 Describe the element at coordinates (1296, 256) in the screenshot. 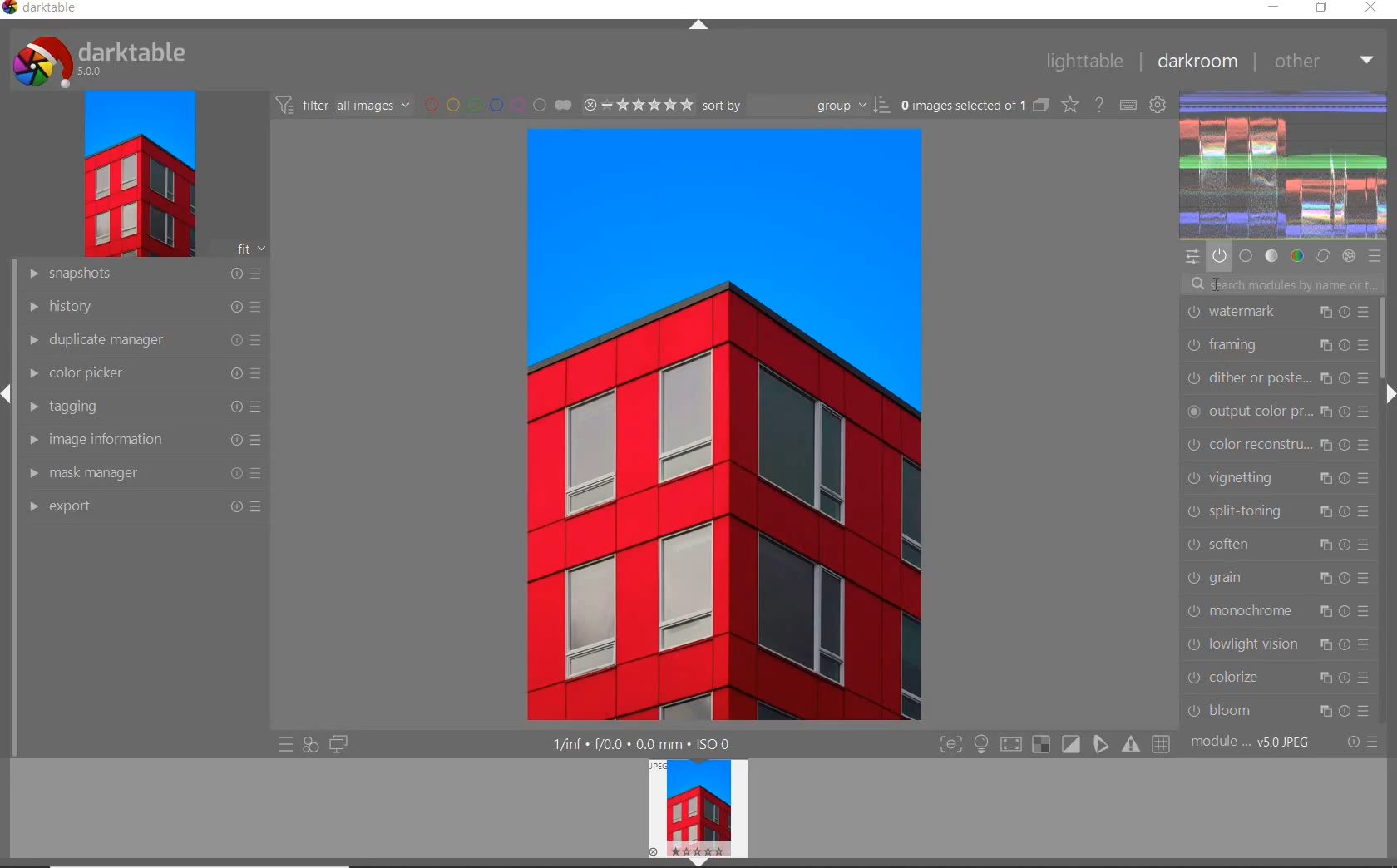

I see `color` at that location.